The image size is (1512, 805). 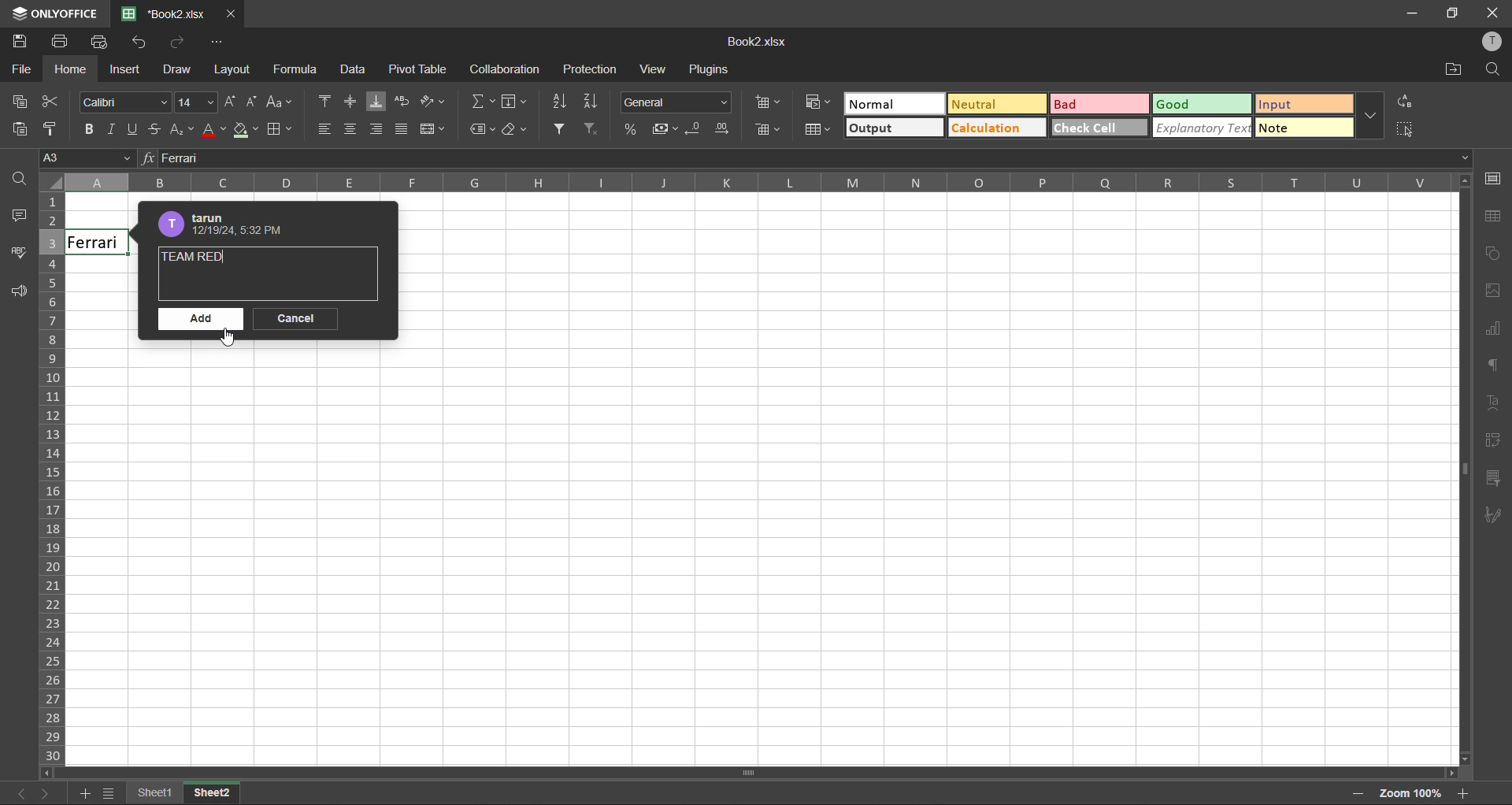 I want to click on input, so click(x=1305, y=106).